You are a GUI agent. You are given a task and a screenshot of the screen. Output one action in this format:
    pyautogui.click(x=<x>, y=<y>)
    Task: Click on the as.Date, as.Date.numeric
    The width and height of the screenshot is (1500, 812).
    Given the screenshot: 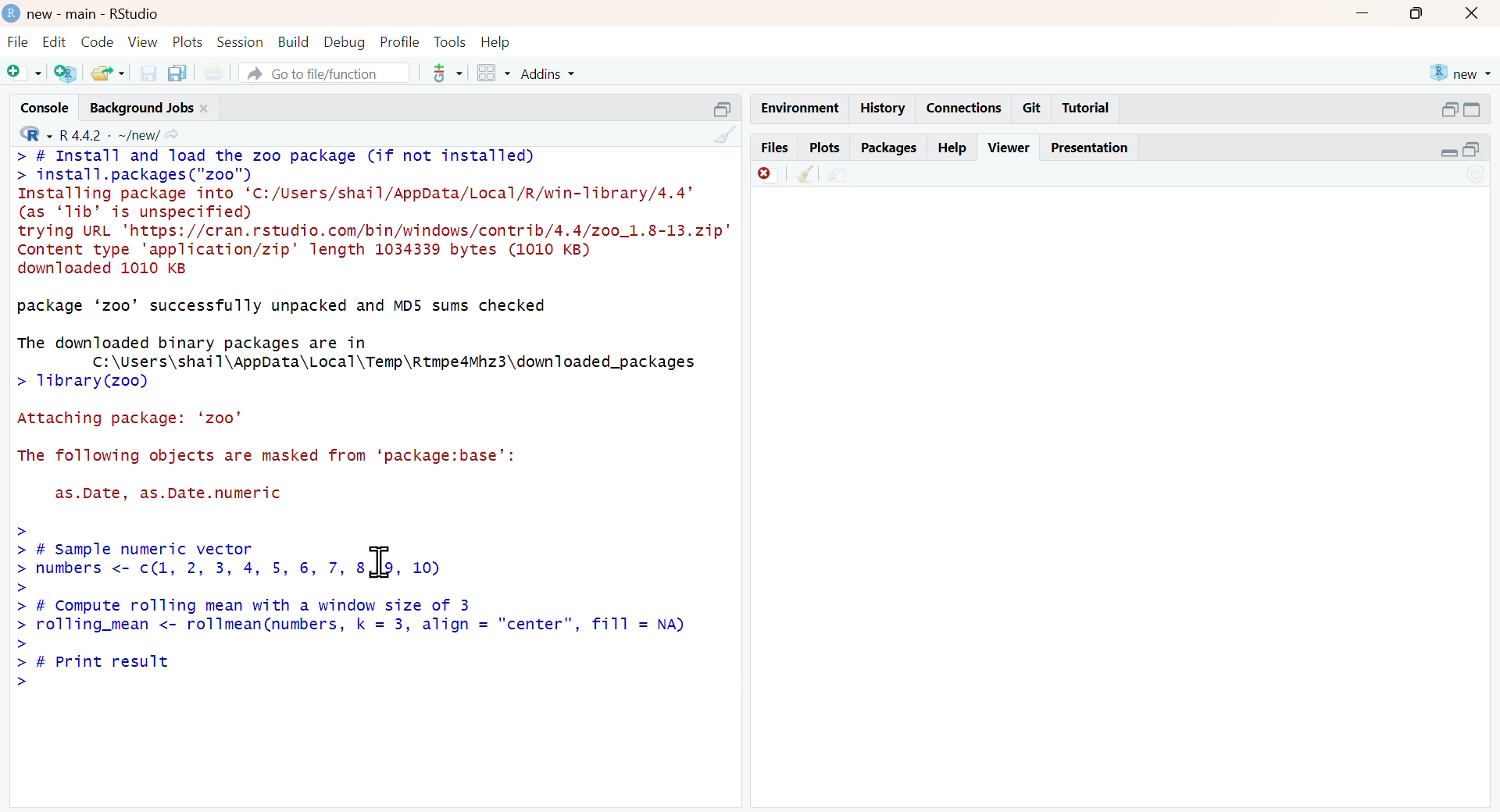 What is the action you would take?
    pyautogui.click(x=169, y=493)
    